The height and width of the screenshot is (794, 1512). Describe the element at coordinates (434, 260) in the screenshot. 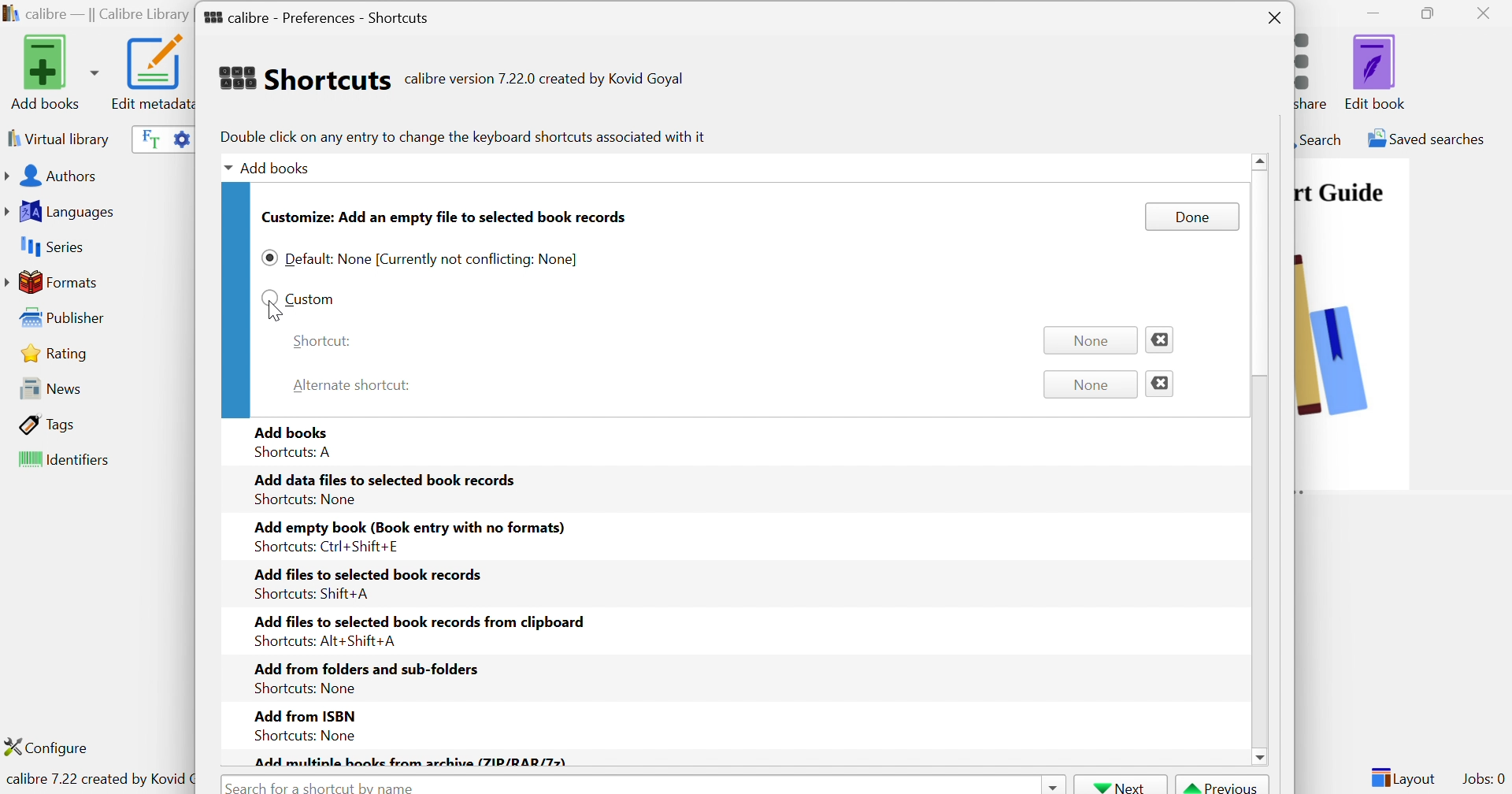

I see `Default: None [Currently not conflicting: None]` at that location.